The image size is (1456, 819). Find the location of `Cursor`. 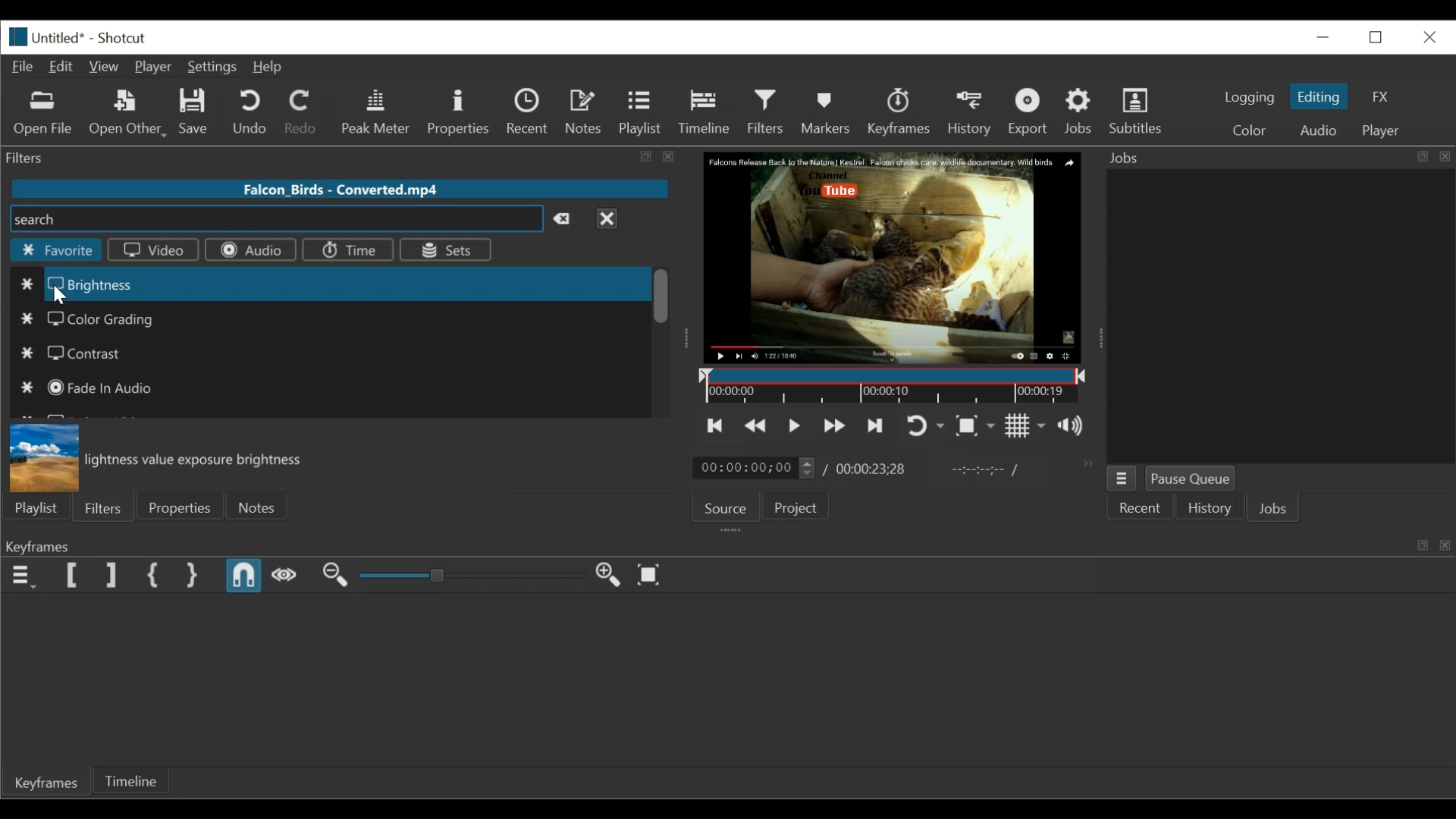

Cursor is located at coordinates (62, 297).